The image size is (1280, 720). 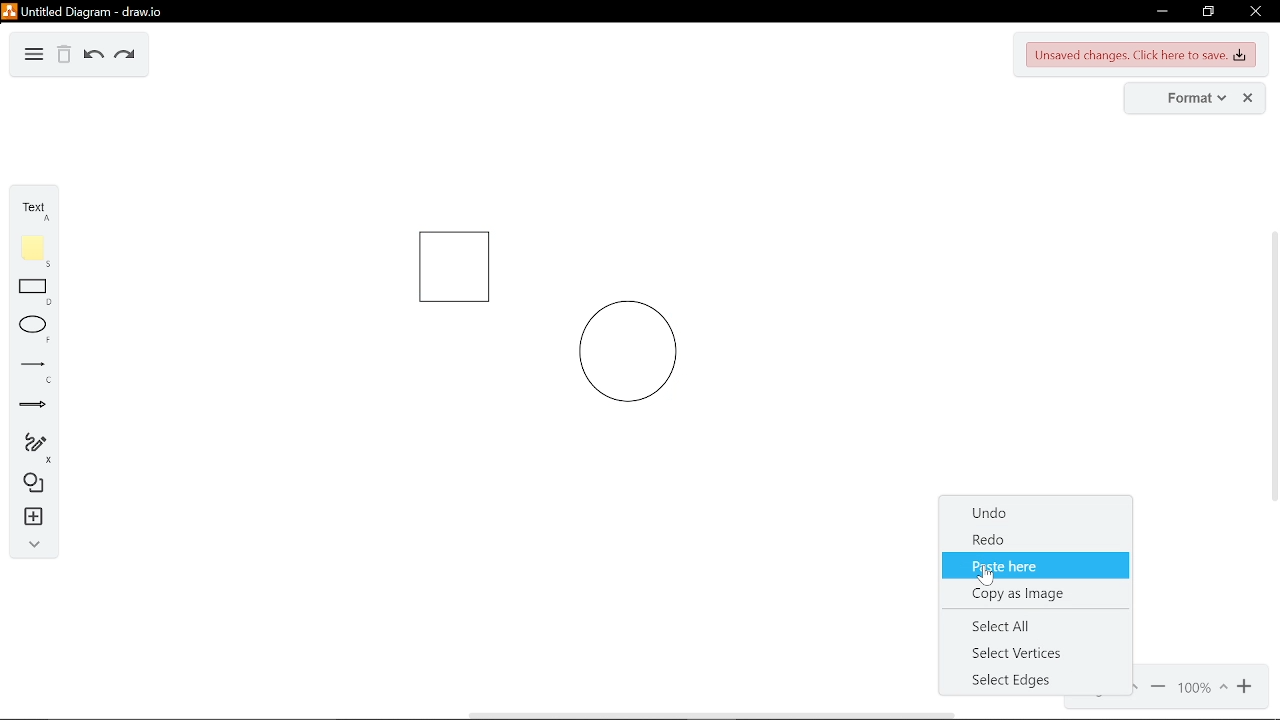 I want to click on current zoom, so click(x=1201, y=689).